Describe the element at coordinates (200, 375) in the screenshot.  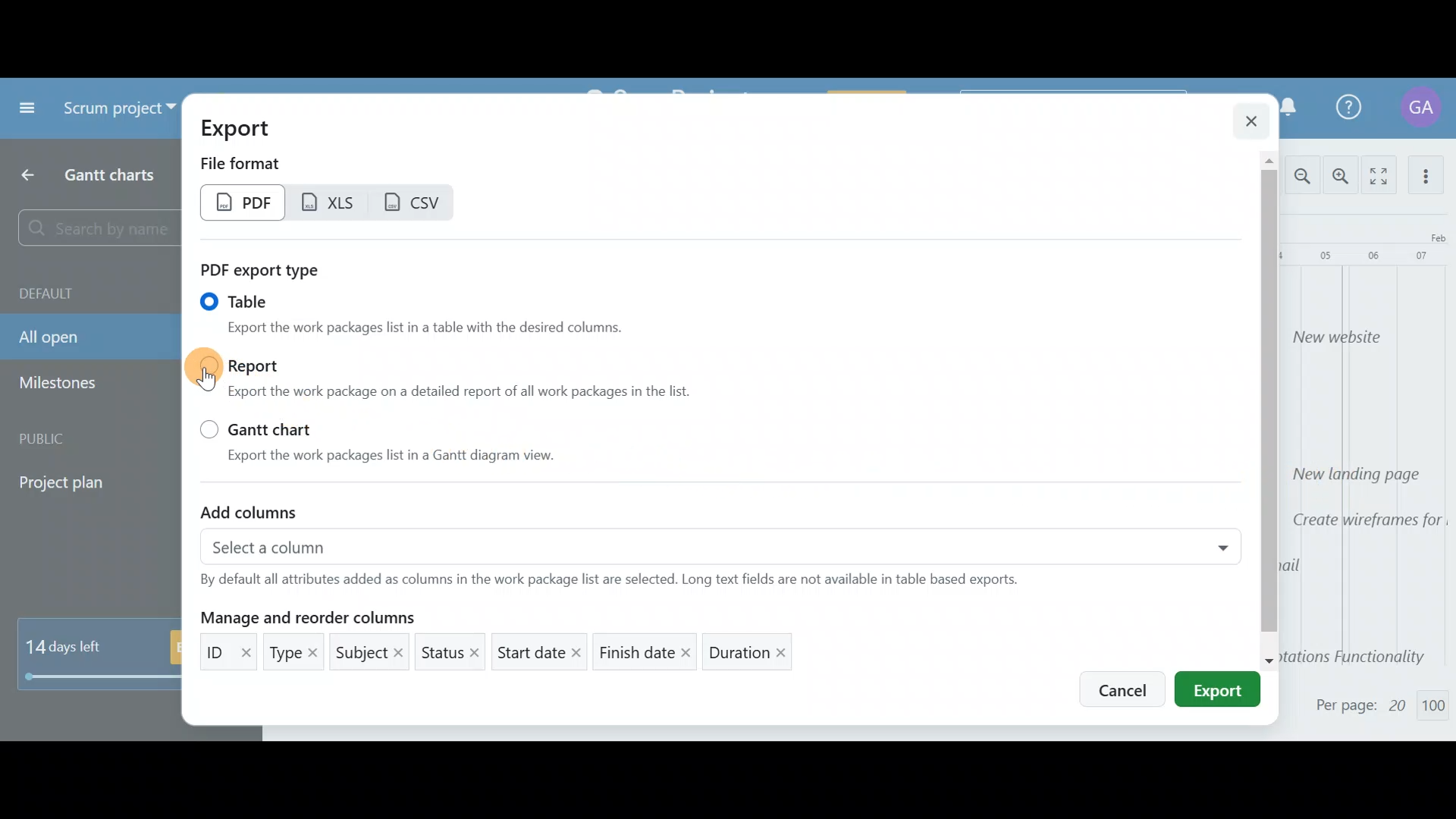
I see `Cursor on report` at that location.